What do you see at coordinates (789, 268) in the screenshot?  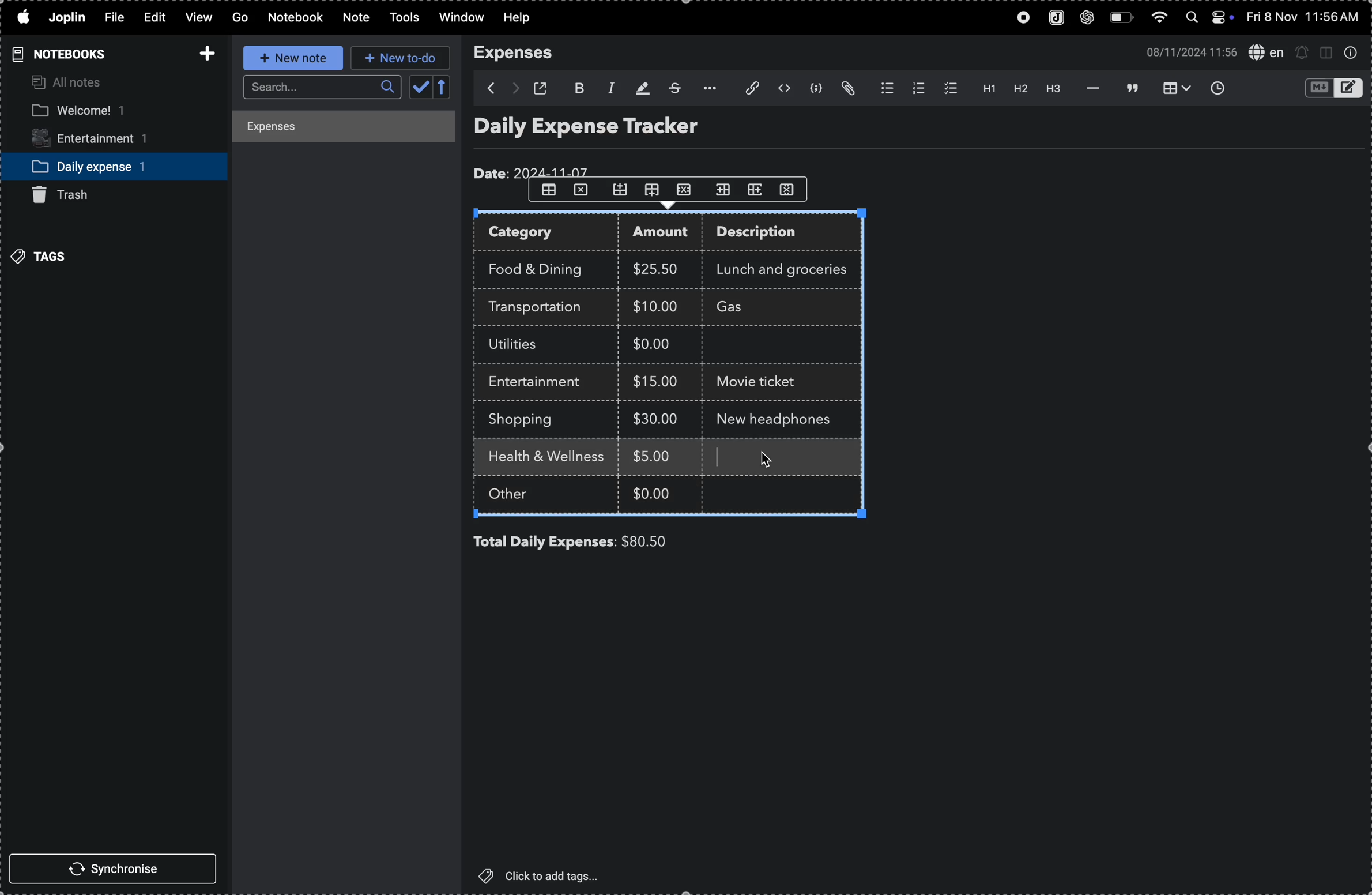 I see `lunch and groceries` at bounding box center [789, 268].